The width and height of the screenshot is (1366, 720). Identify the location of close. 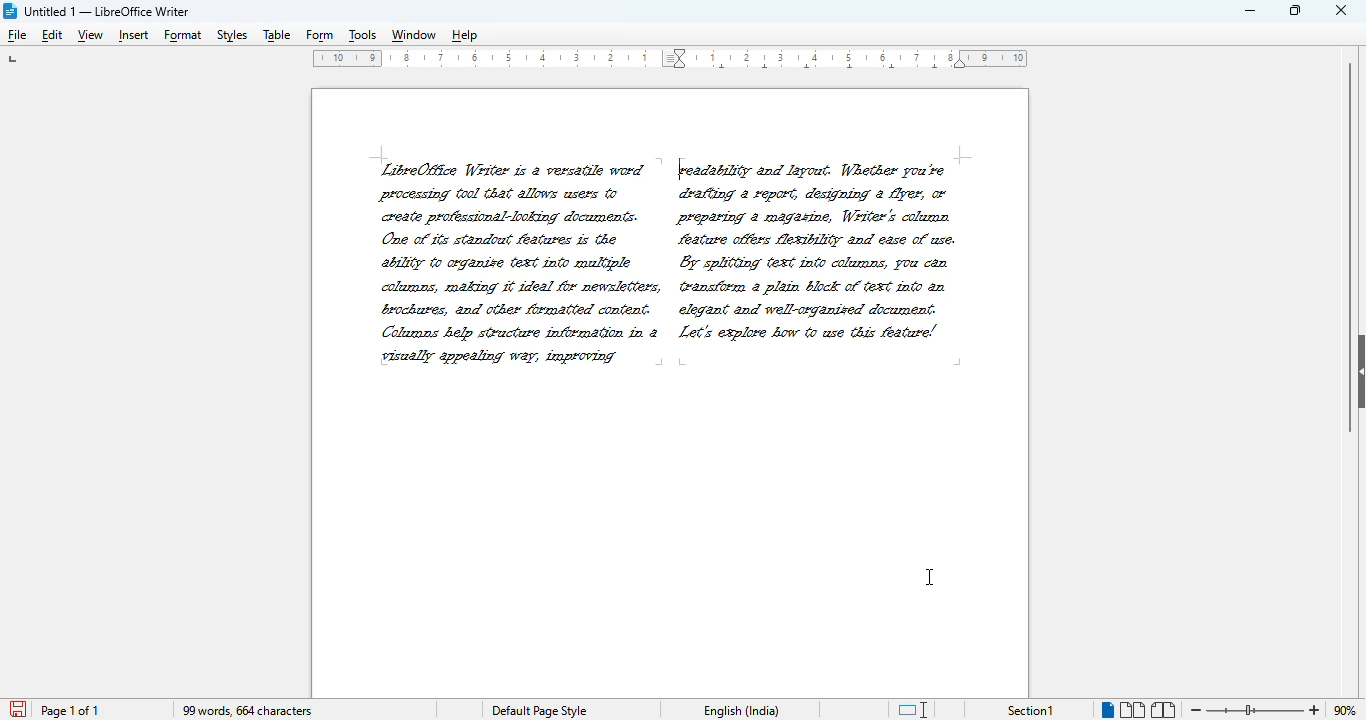
(1342, 9).